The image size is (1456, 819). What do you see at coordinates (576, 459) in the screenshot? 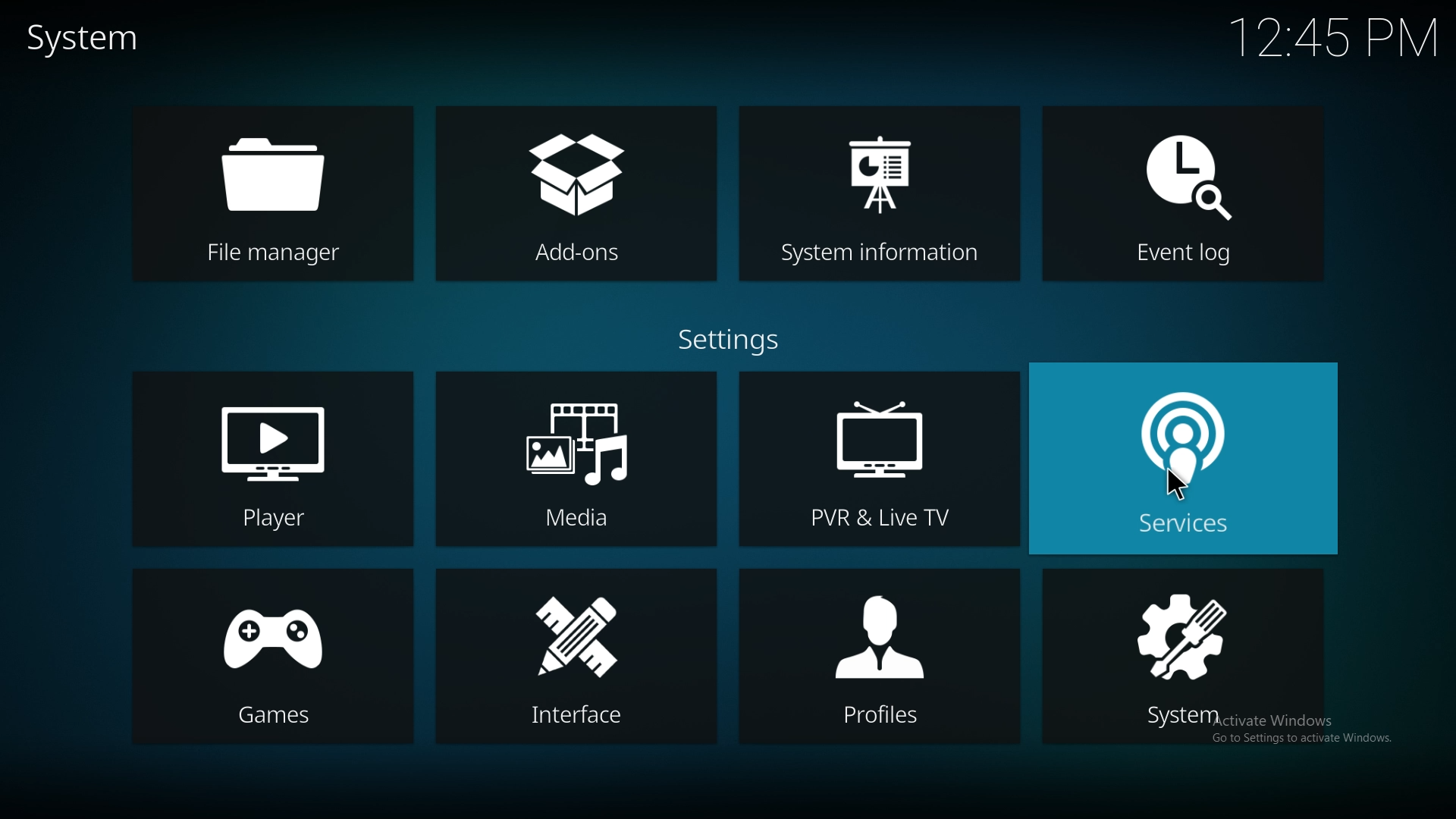
I see `media` at bounding box center [576, 459].